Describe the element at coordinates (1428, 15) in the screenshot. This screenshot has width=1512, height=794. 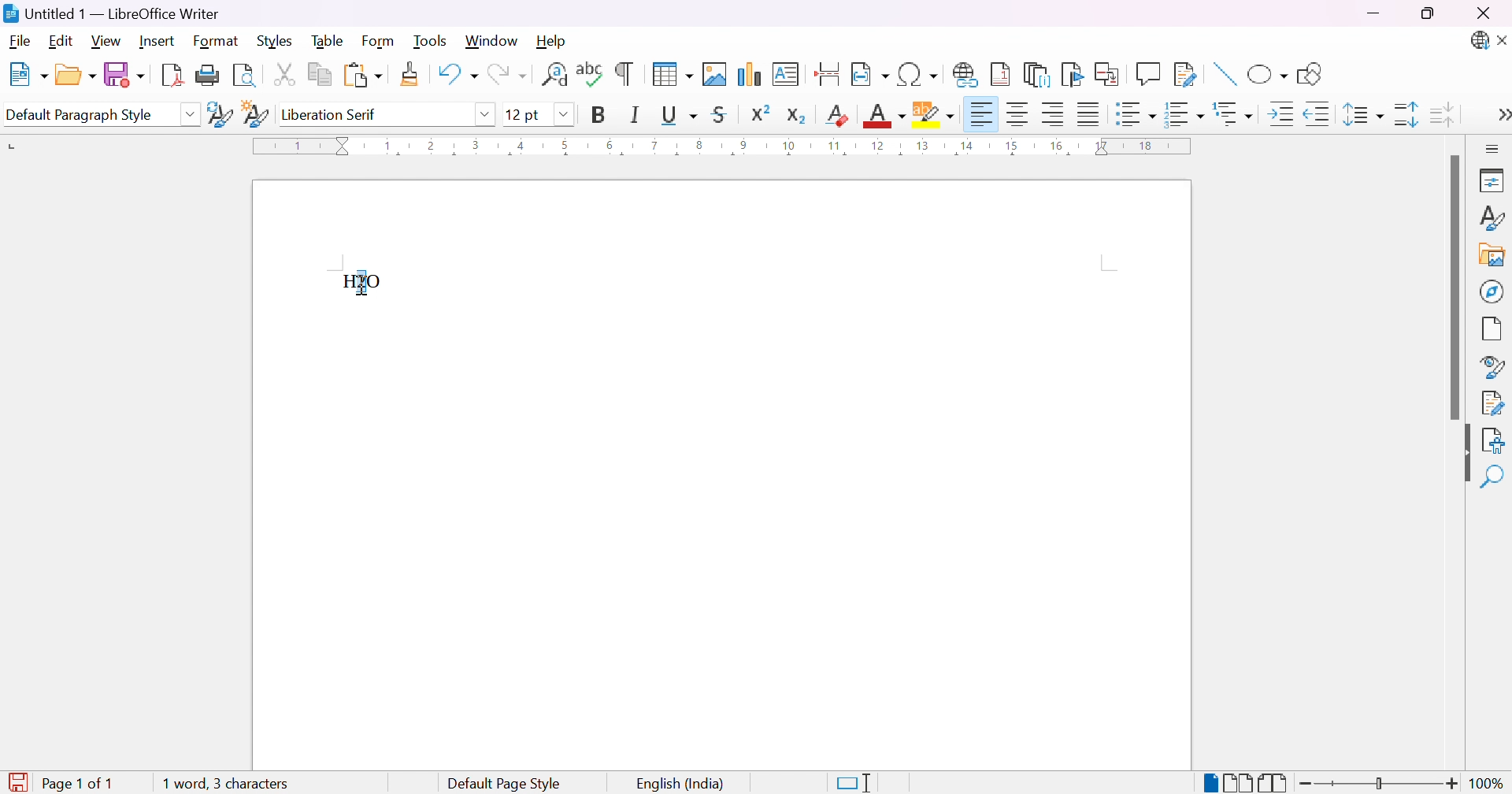
I see `Restore down` at that location.